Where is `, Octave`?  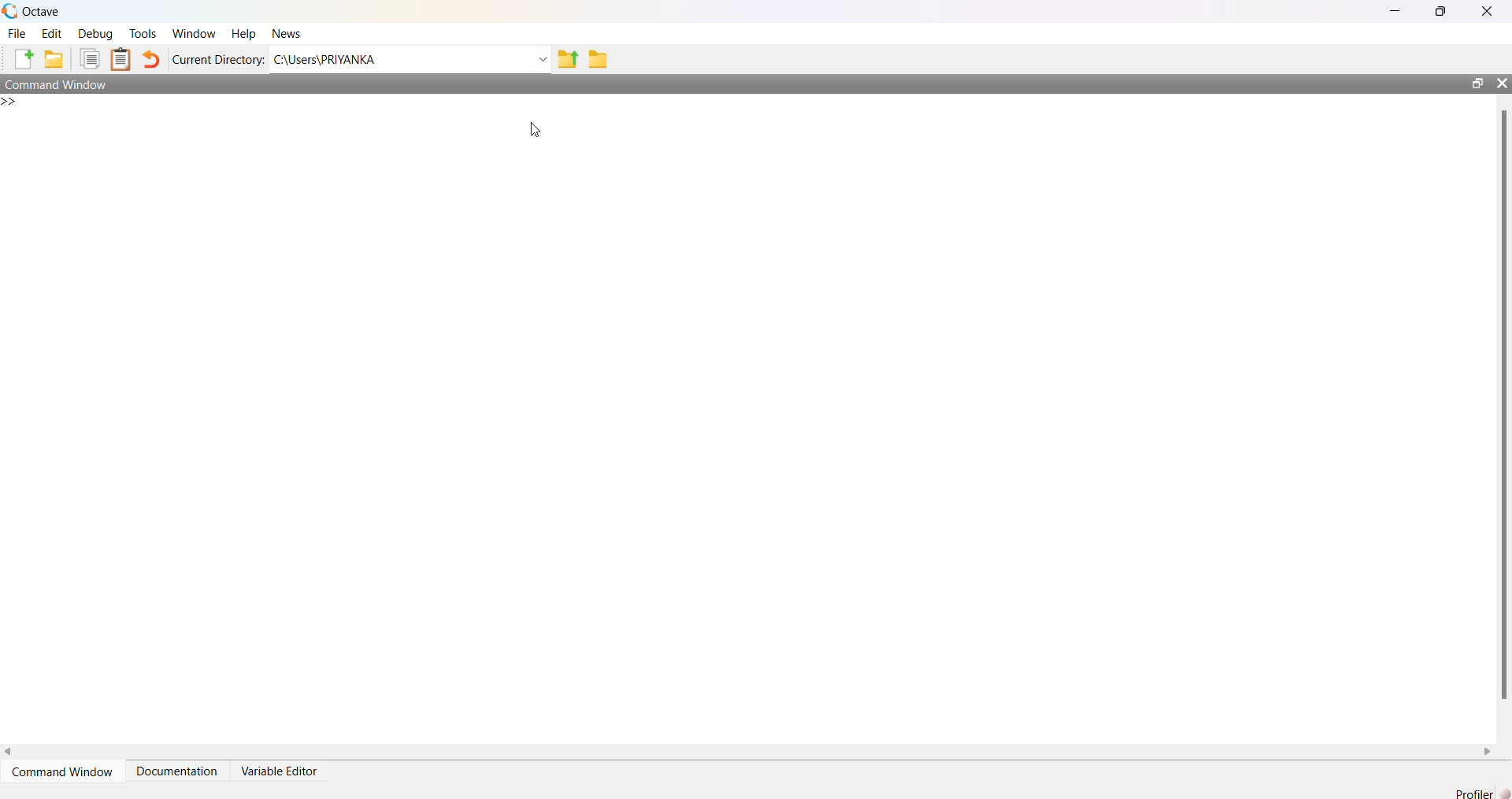 , Octave is located at coordinates (35, 9).